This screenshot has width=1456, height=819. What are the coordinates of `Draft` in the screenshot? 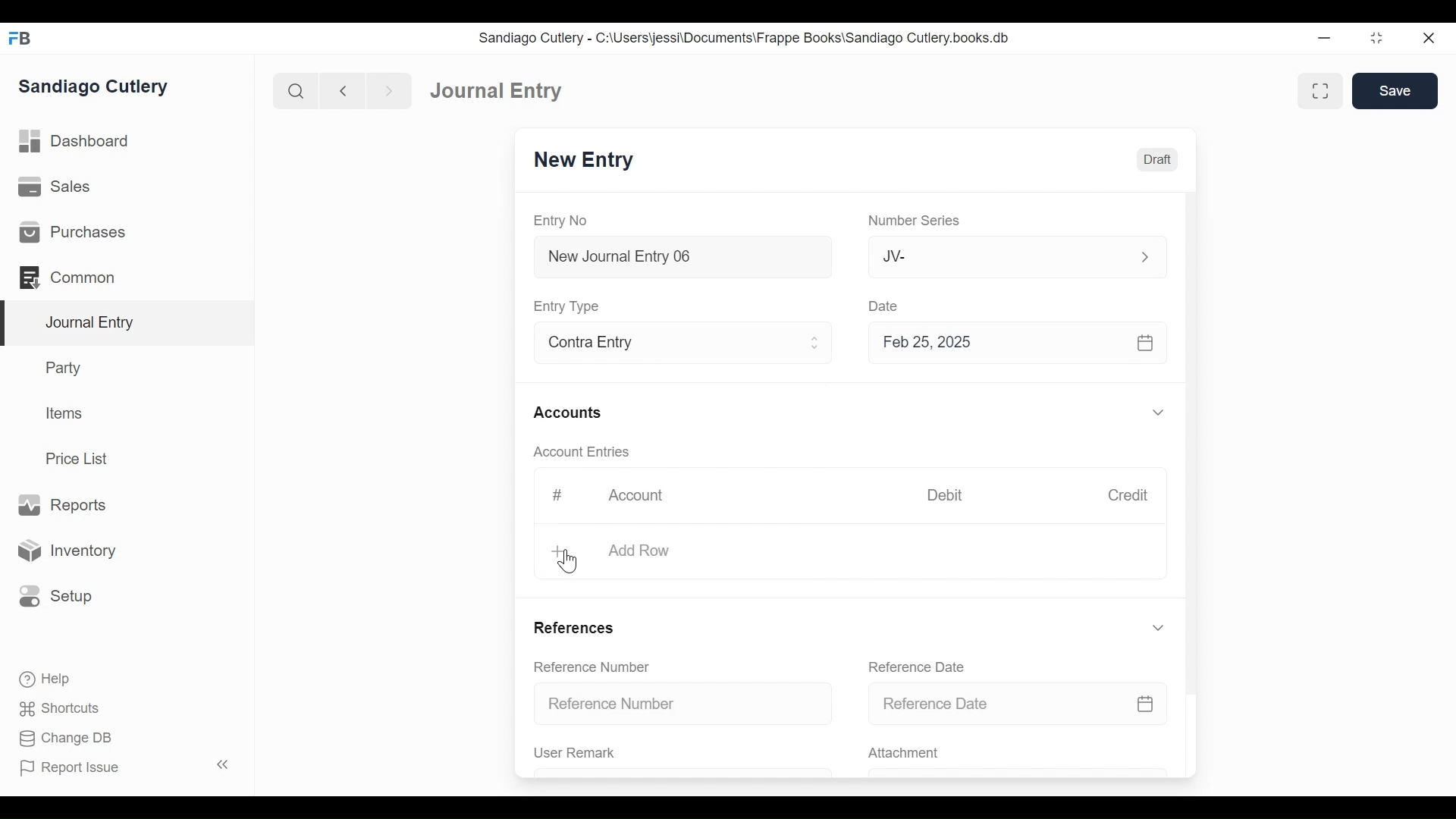 It's located at (1157, 160).